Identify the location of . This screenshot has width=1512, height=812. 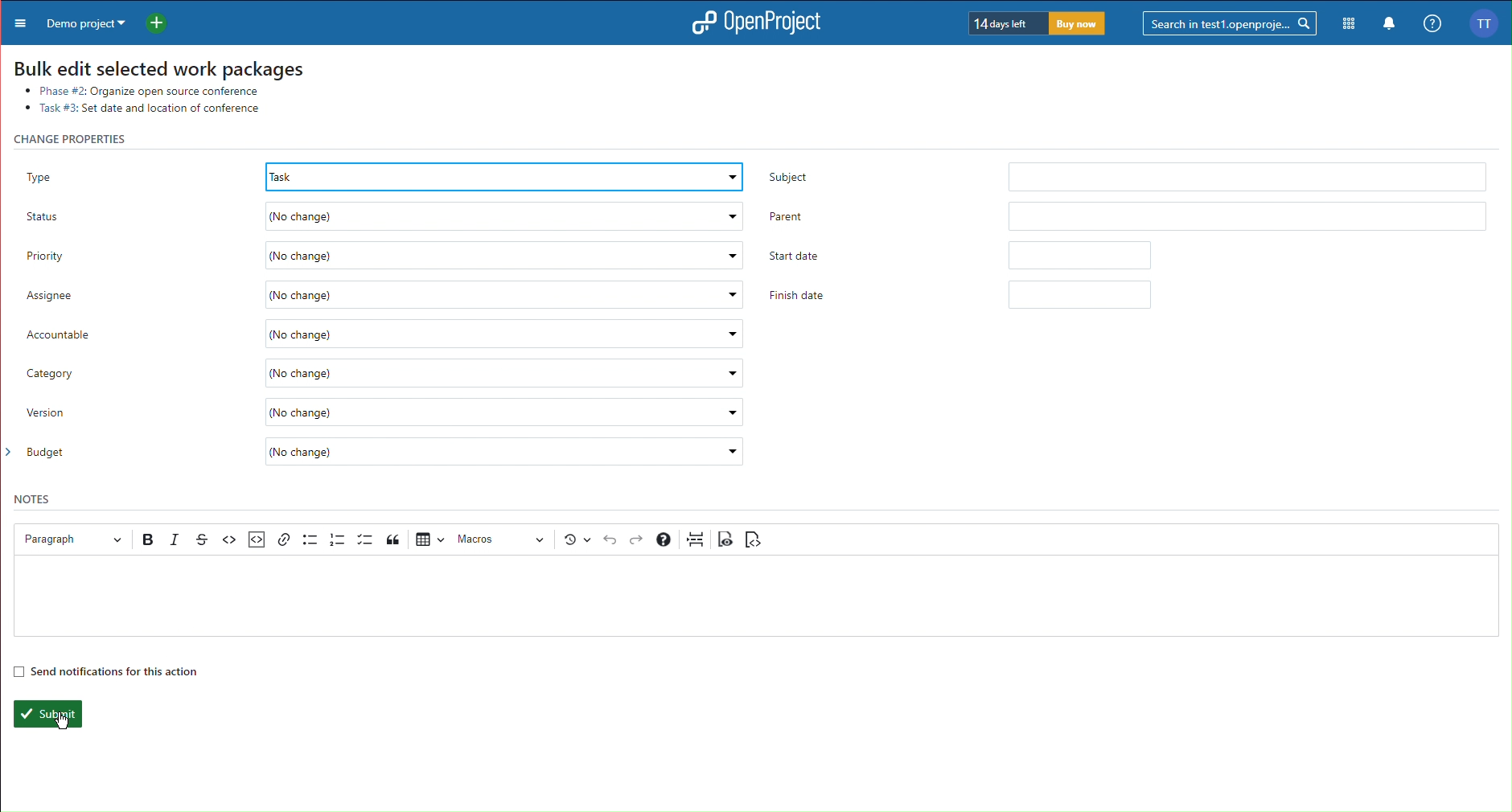
(35, 498).